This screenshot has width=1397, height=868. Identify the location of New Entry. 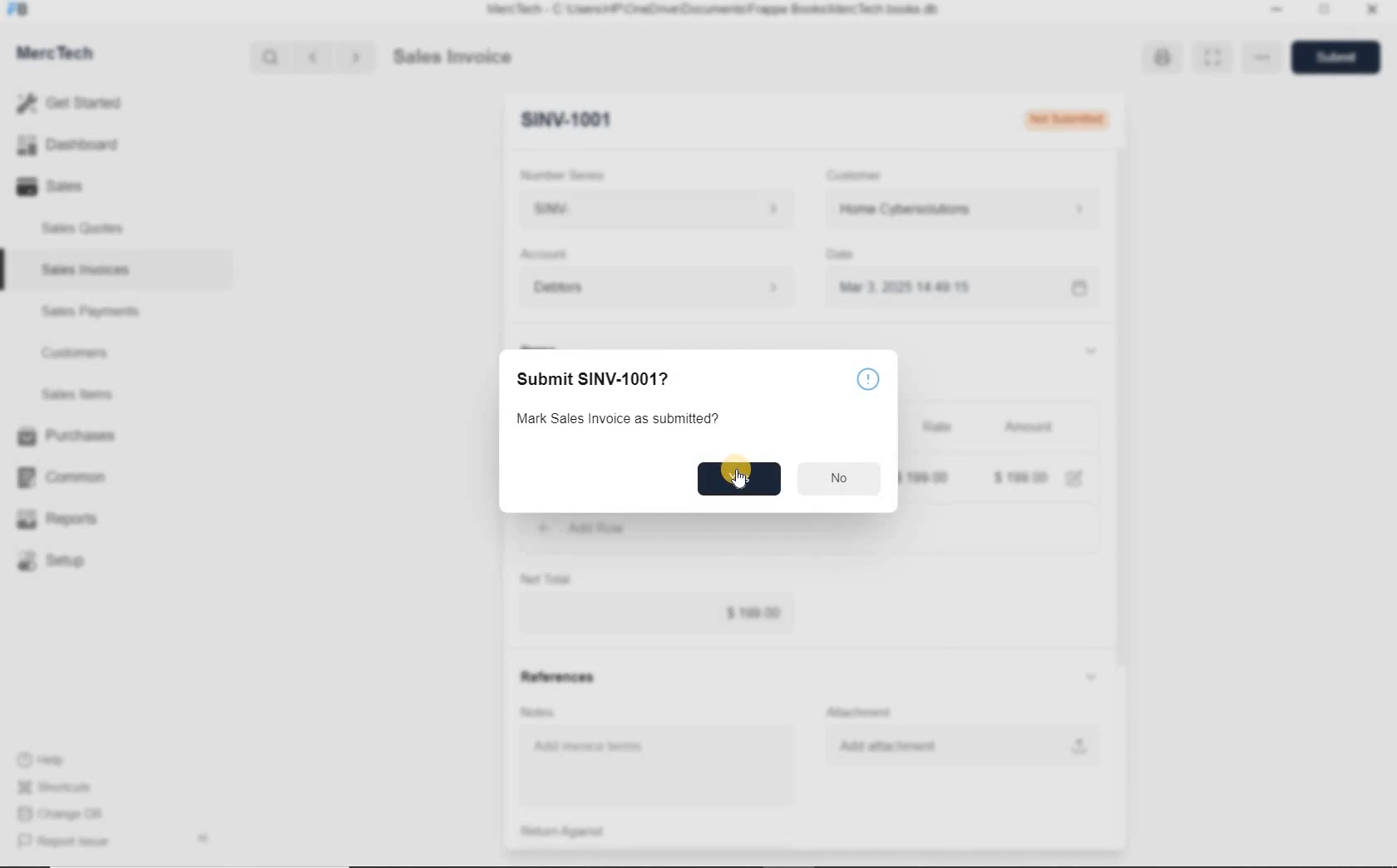
(565, 121).